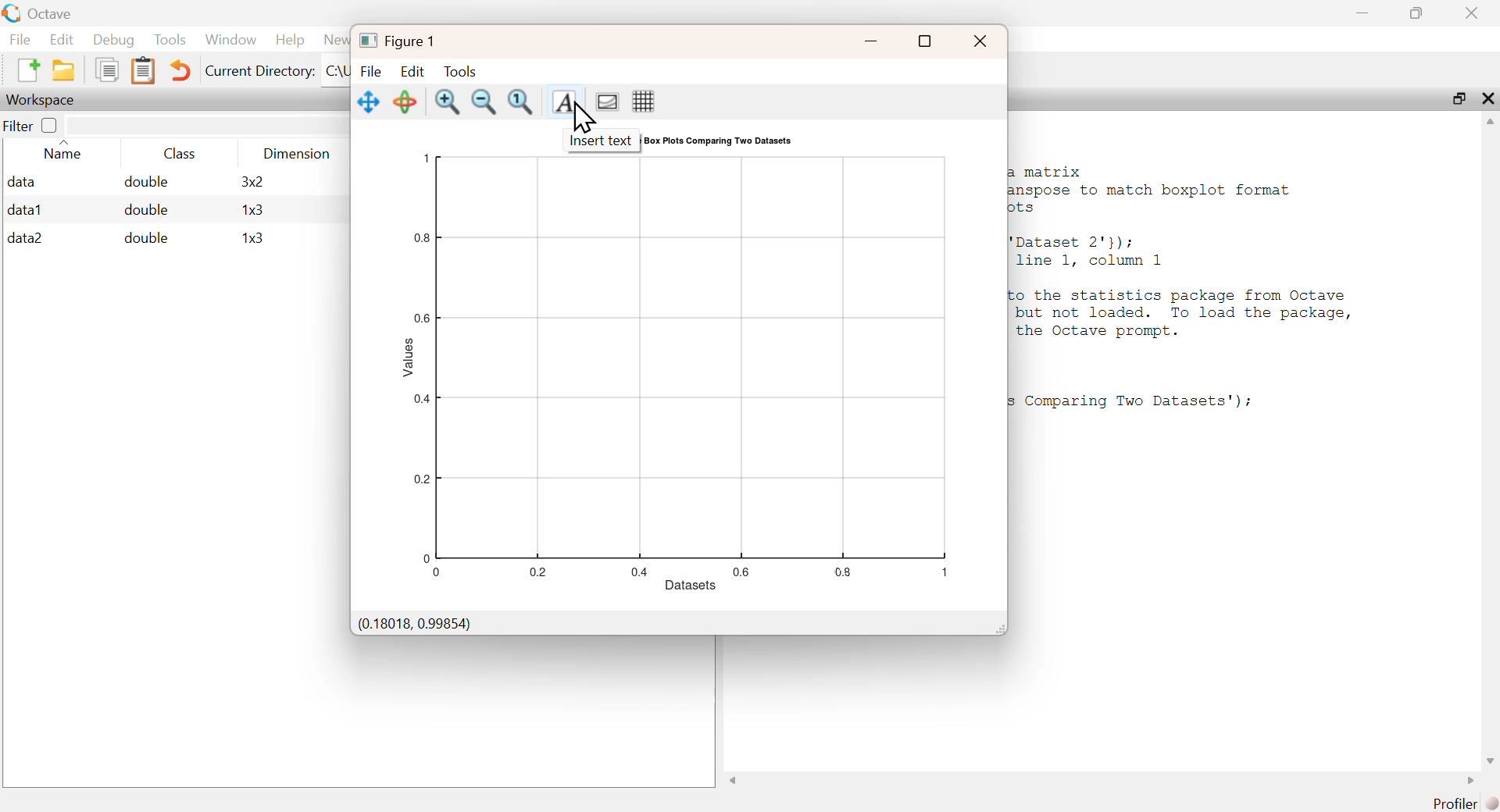  What do you see at coordinates (11, 13) in the screenshot?
I see `Logo` at bounding box center [11, 13].